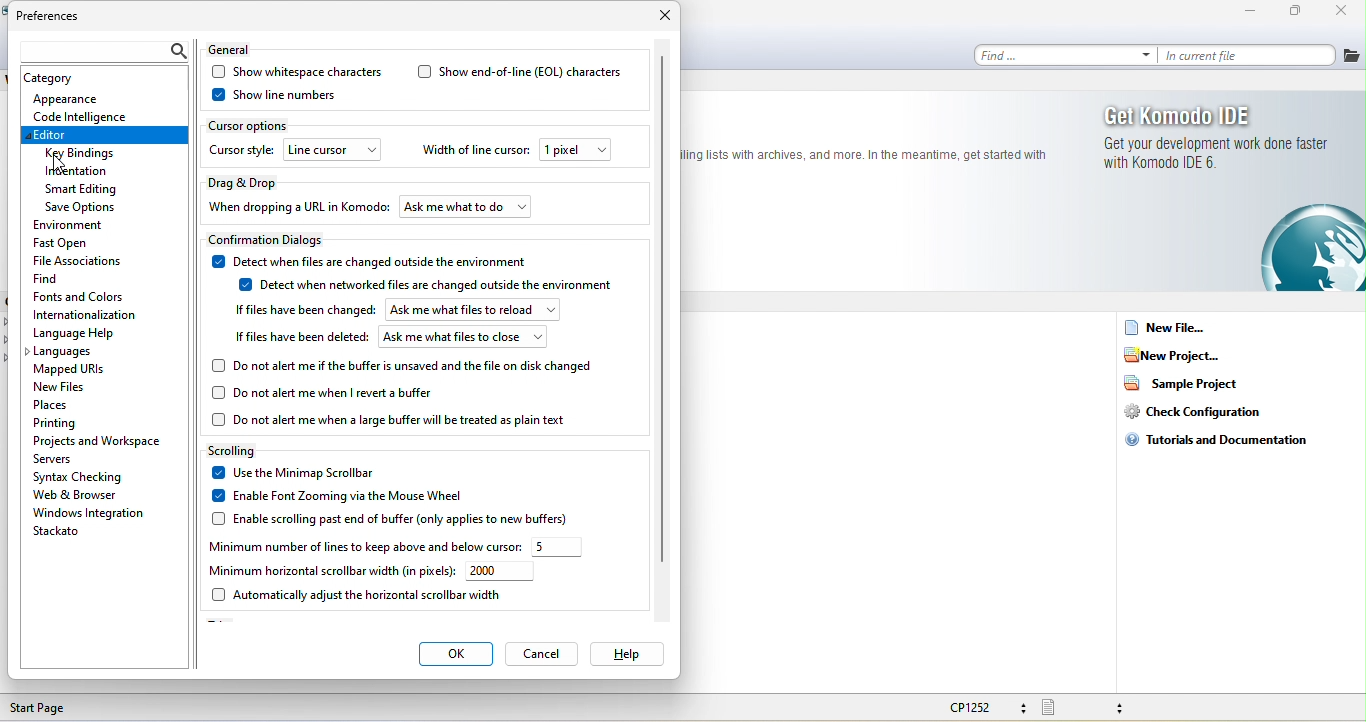 The image size is (1366, 722). What do you see at coordinates (541, 653) in the screenshot?
I see `cancel` at bounding box center [541, 653].